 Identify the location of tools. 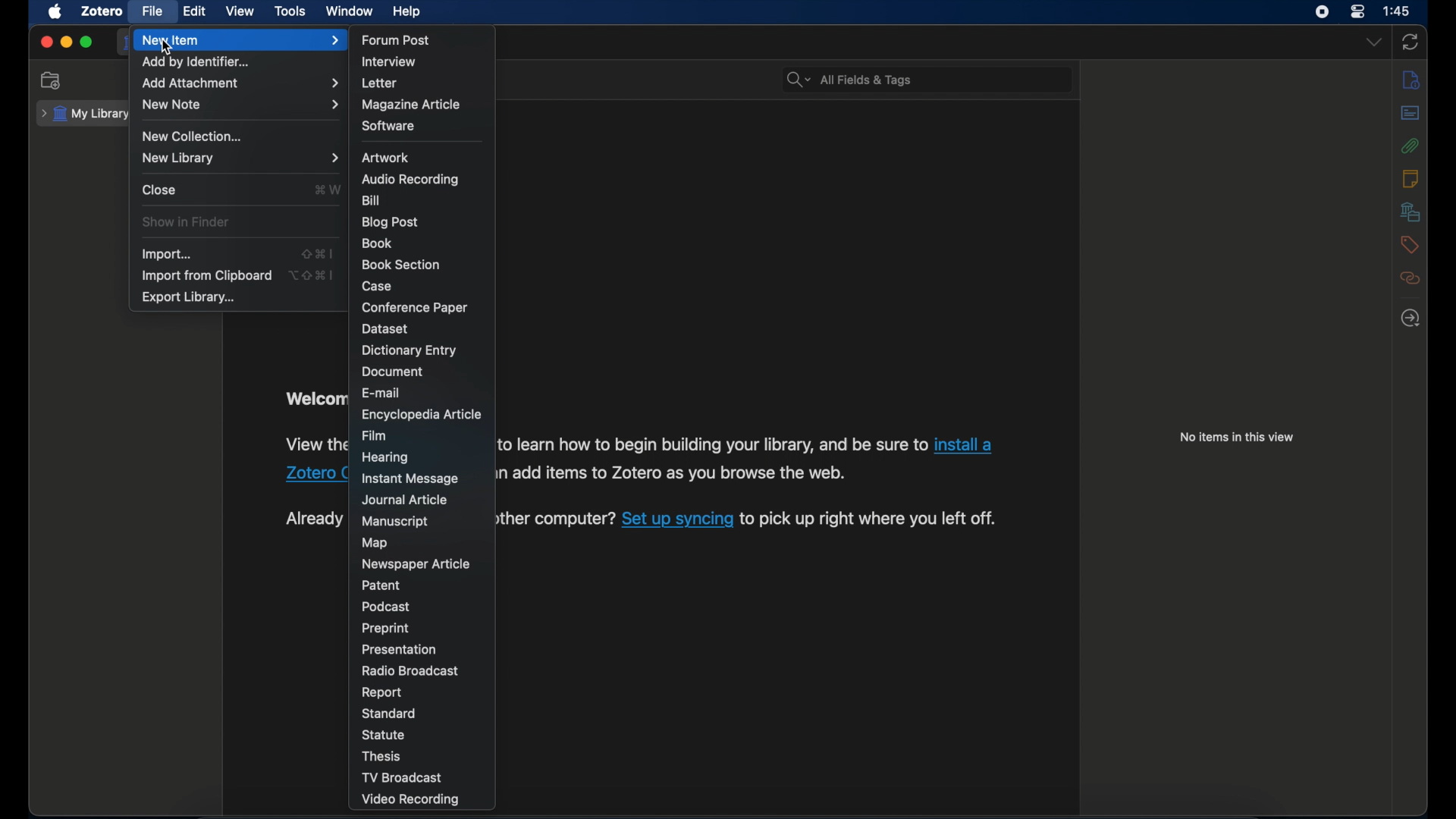
(290, 12).